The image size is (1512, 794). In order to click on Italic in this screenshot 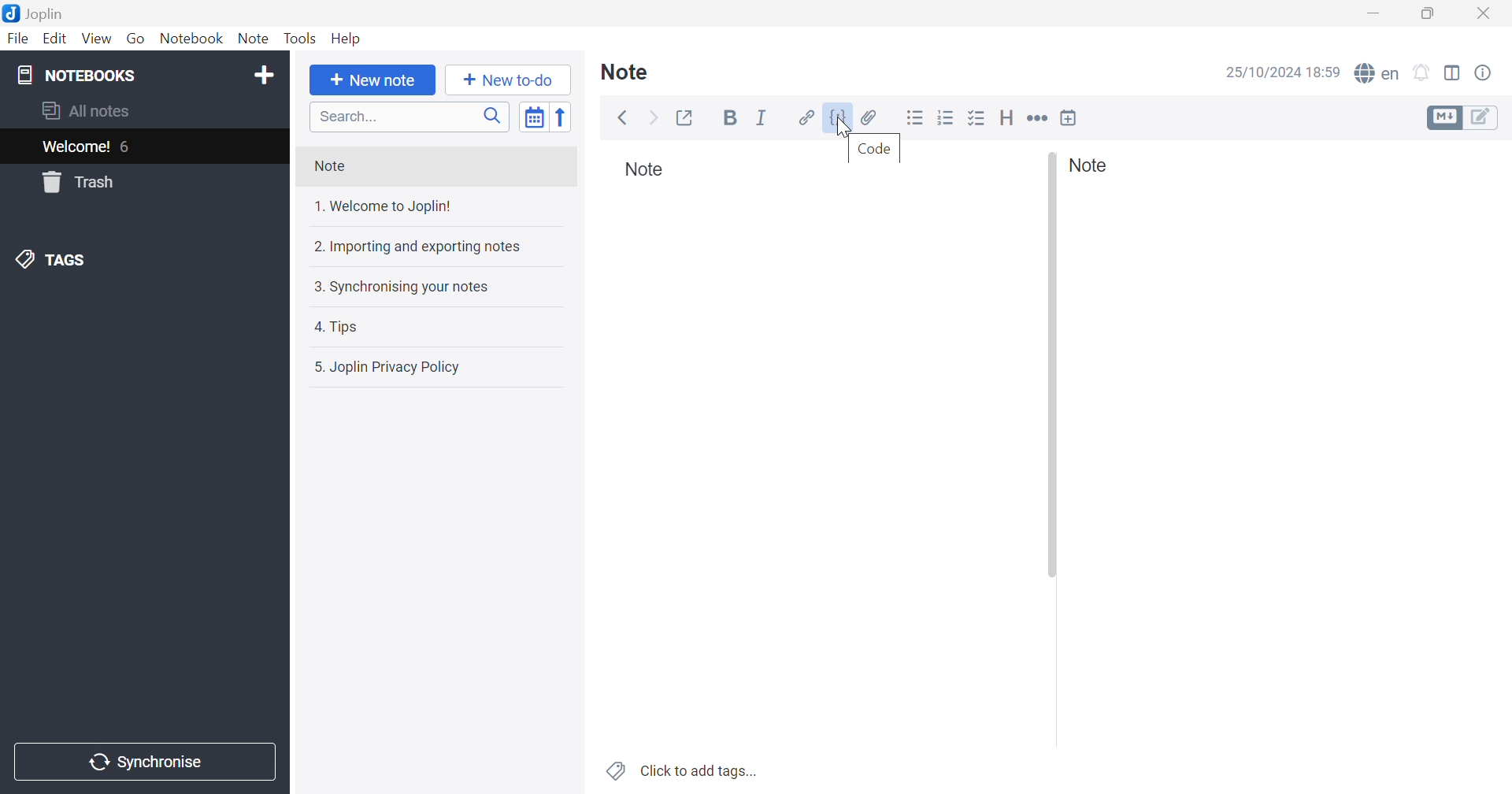, I will do `click(764, 118)`.